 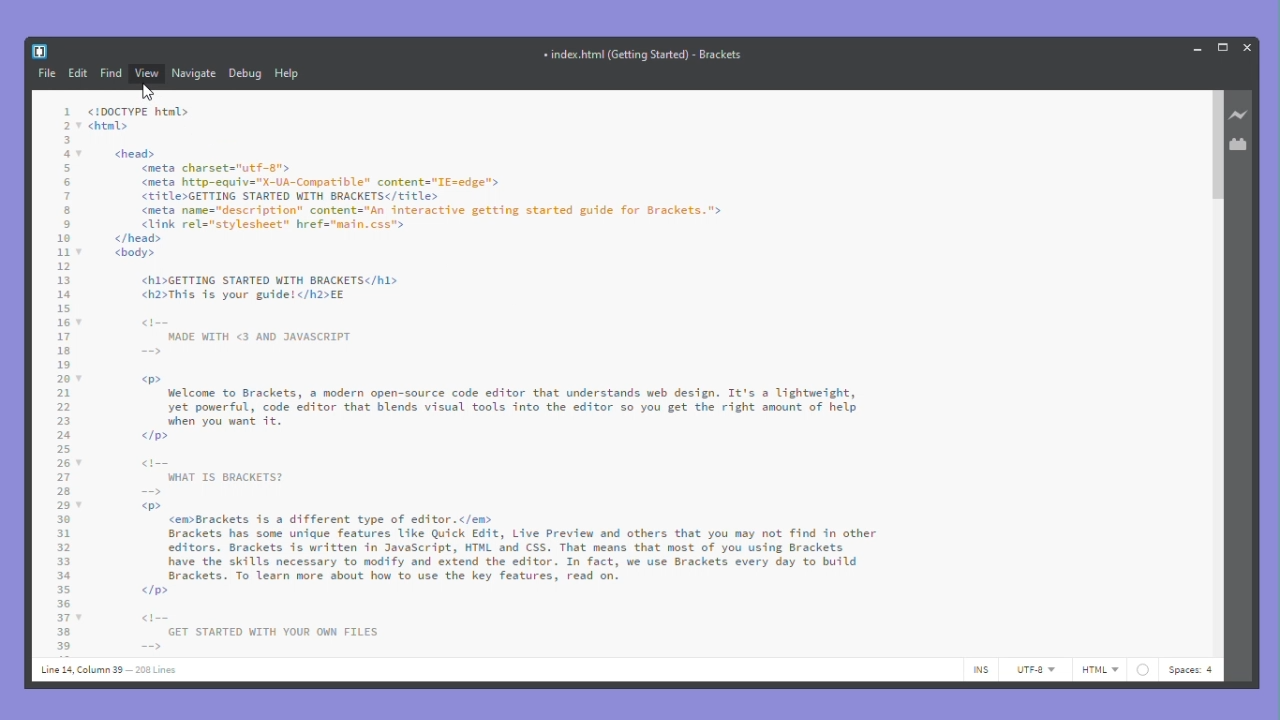 What do you see at coordinates (79, 252) in the screenshot?
I see `code fold` at bounding box center [79, 252].